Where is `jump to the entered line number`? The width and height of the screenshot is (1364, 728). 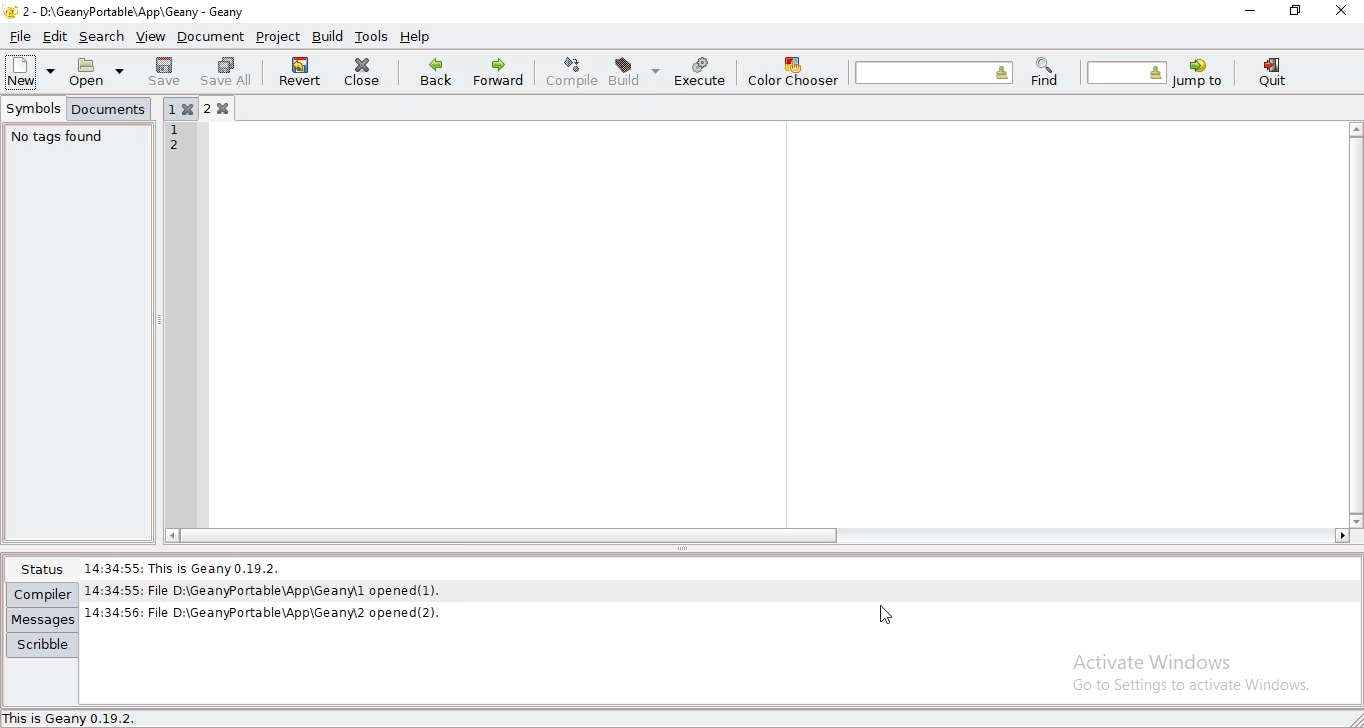 jump to the entered line number is located at coordinates (1127, 73).